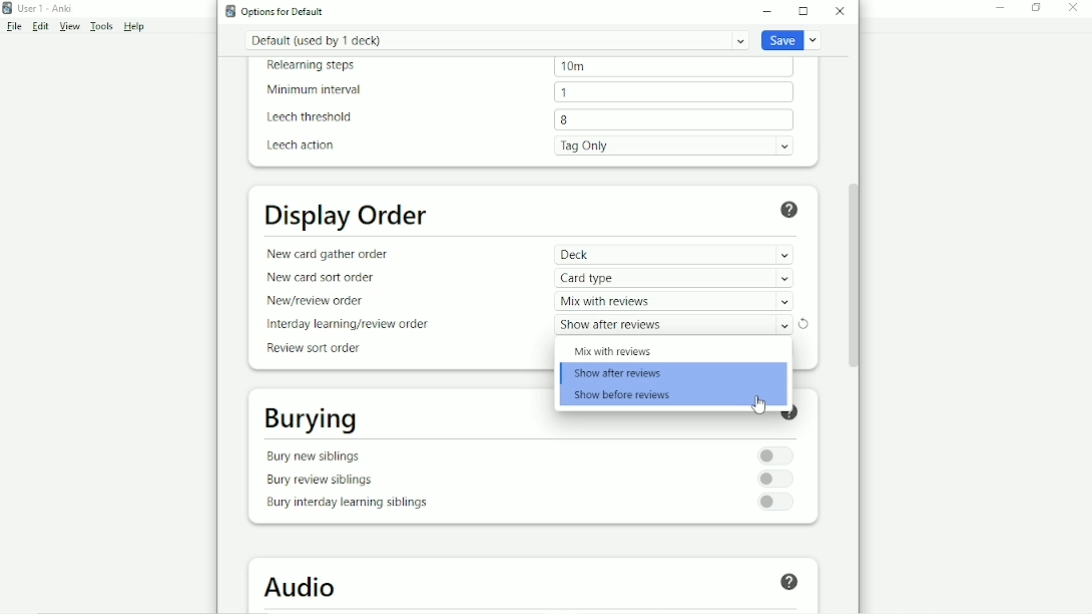 This screenshot has height=614, width=1092. What do you see at coordinates (790, 416) in the screenshot?
I see `Help` at bounding box center [790, 416].